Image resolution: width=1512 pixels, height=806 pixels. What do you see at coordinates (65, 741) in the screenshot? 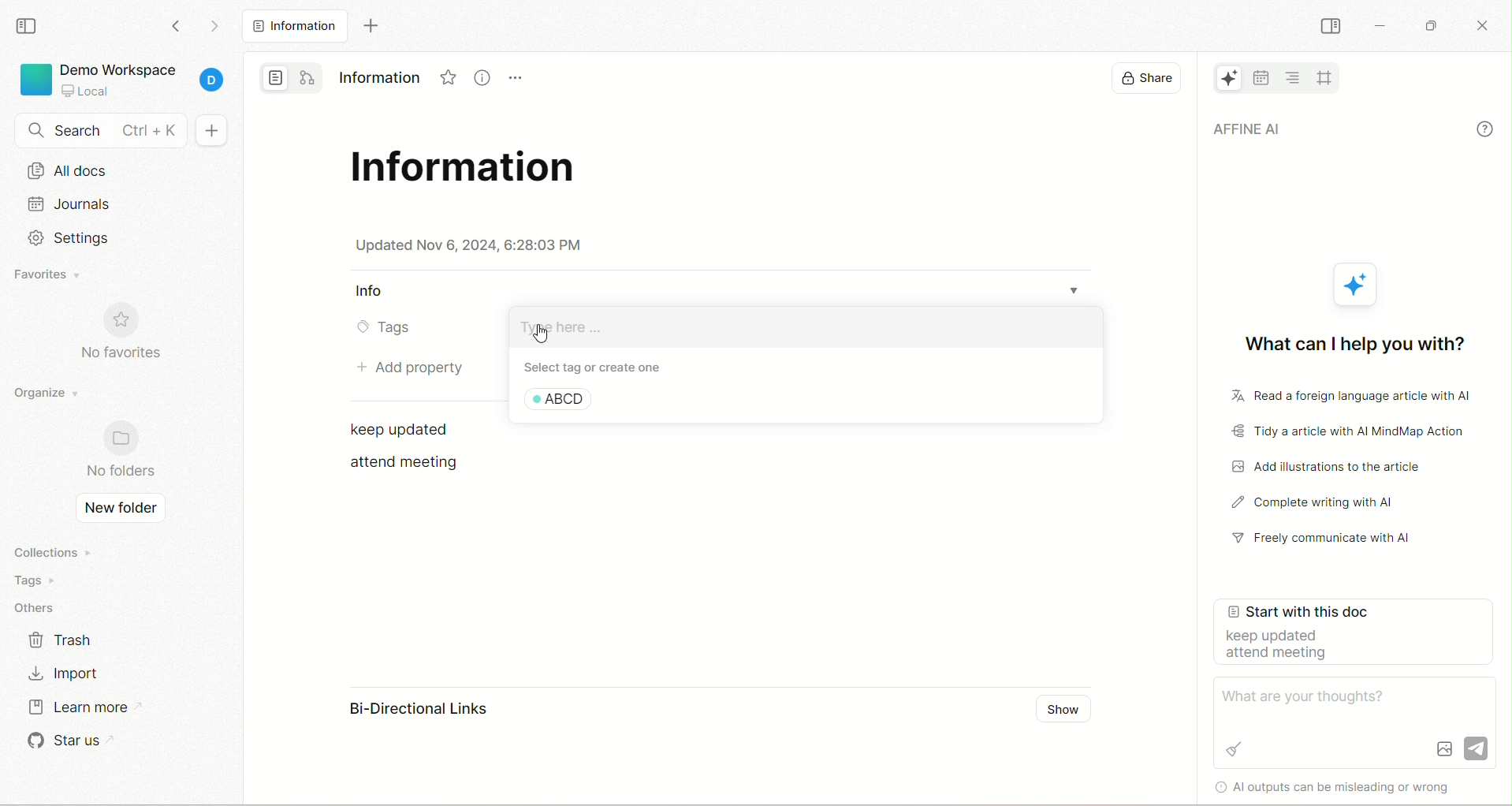
I see `star us` at bounding box center [65, 741].